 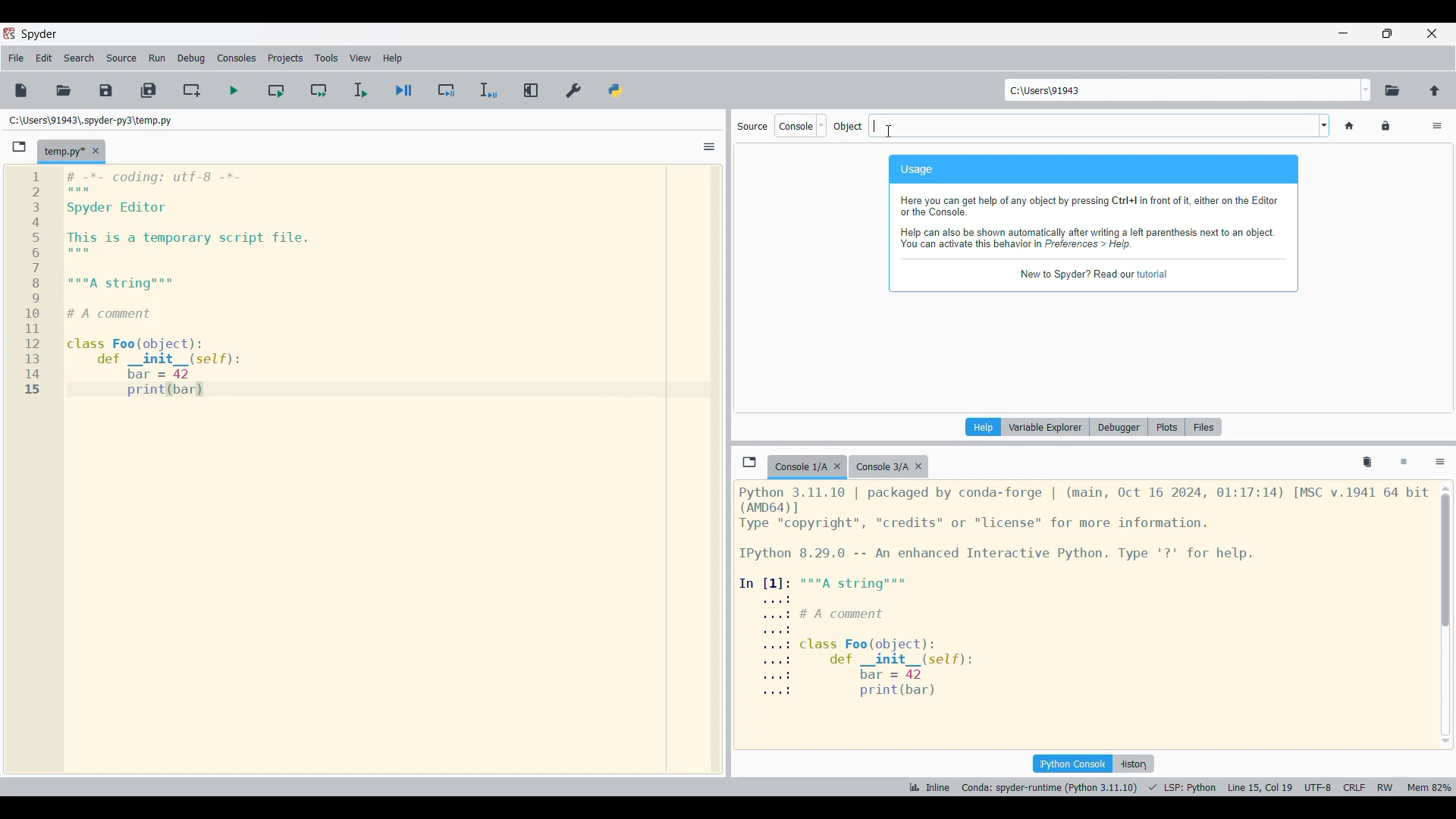 What do you see at coordinates (799, 467) in the screenshot?
I see `Current tab highlighted` at bounding box center [799, 467].